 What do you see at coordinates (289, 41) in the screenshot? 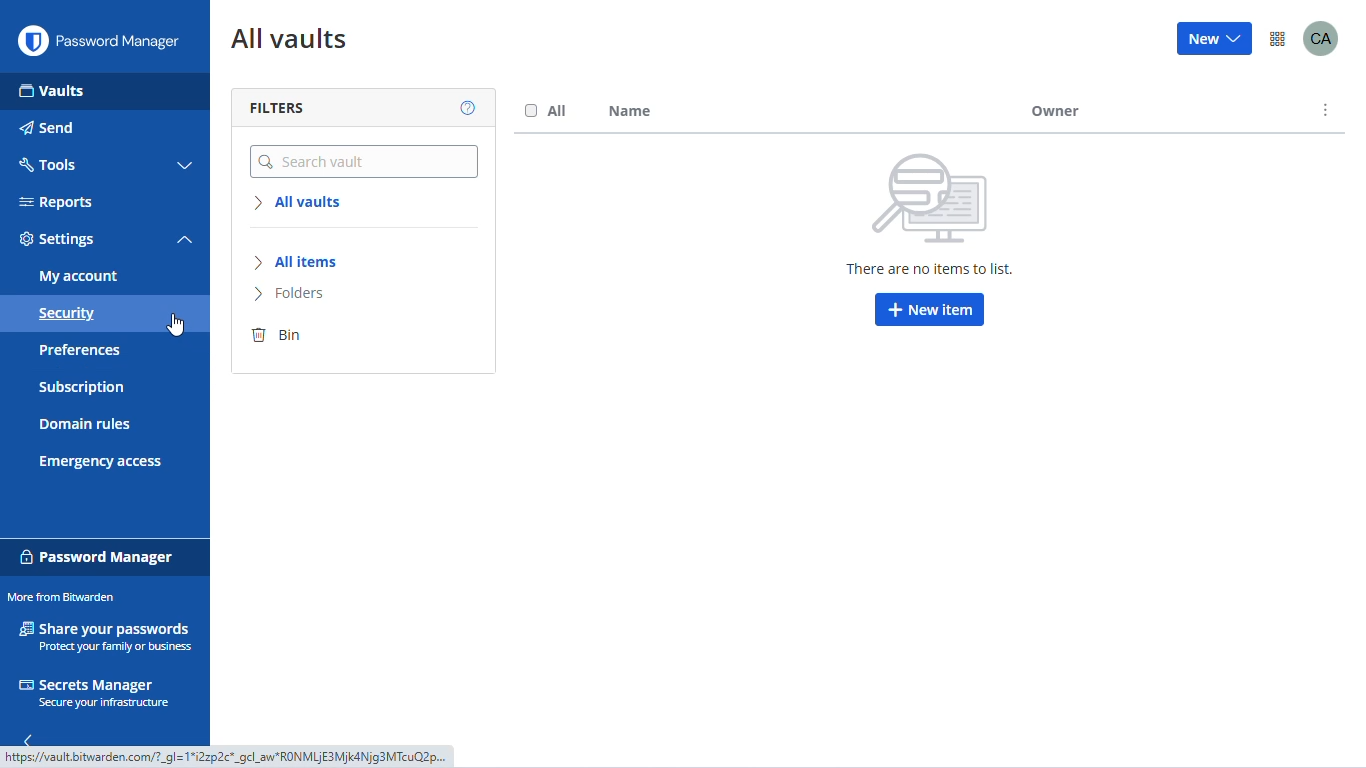
I see `all vaults` at bounding box center [289, 41].